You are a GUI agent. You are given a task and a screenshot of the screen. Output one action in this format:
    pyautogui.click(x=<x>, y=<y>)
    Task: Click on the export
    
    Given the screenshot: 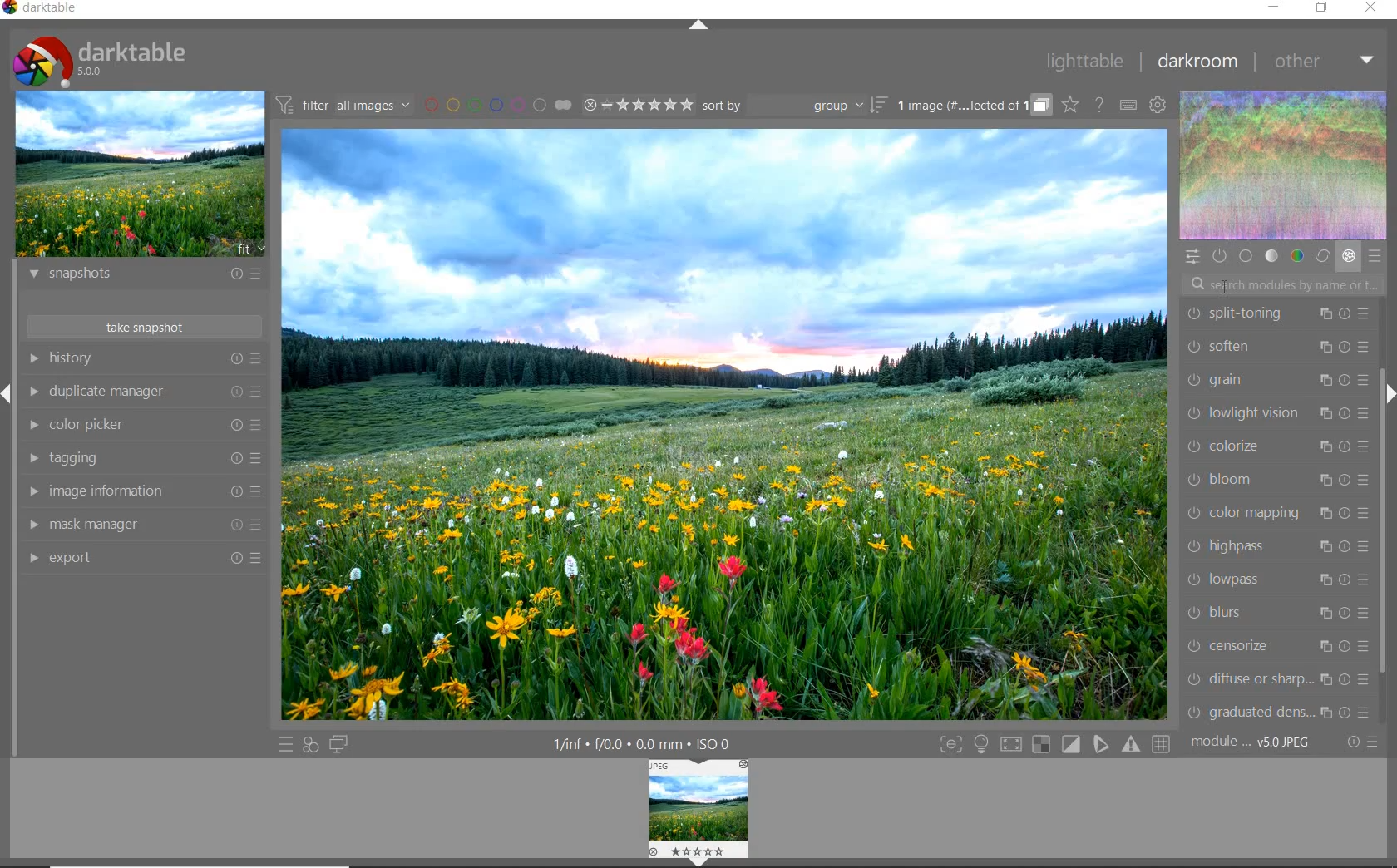 What is the action you would take?
    pyautogui.click(x=142, y=557)
    